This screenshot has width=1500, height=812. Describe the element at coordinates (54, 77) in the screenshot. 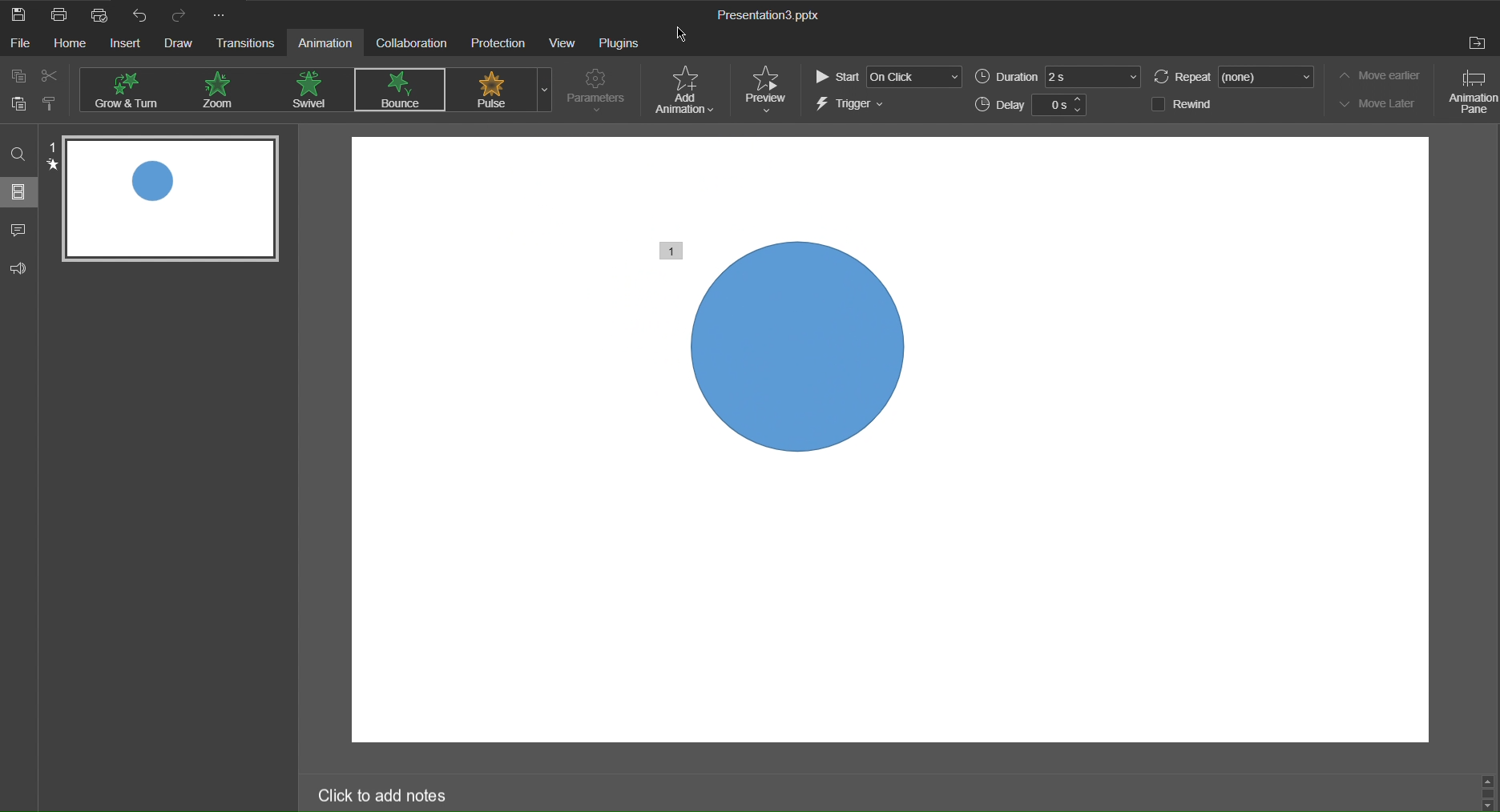

I see `Cut` at that location.